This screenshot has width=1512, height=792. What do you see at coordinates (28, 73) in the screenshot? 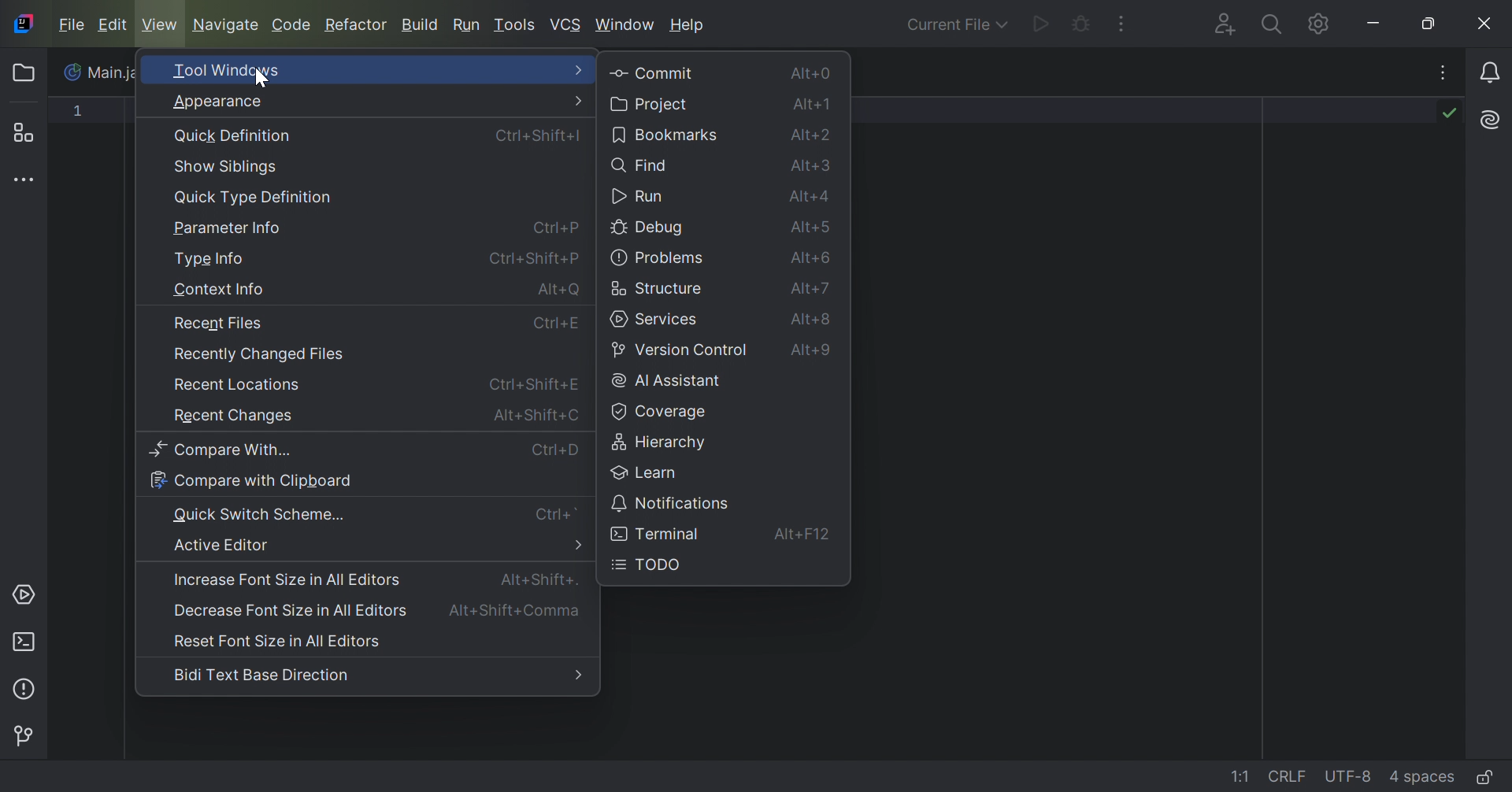
I see `Project` at bounding box center [28, 73].